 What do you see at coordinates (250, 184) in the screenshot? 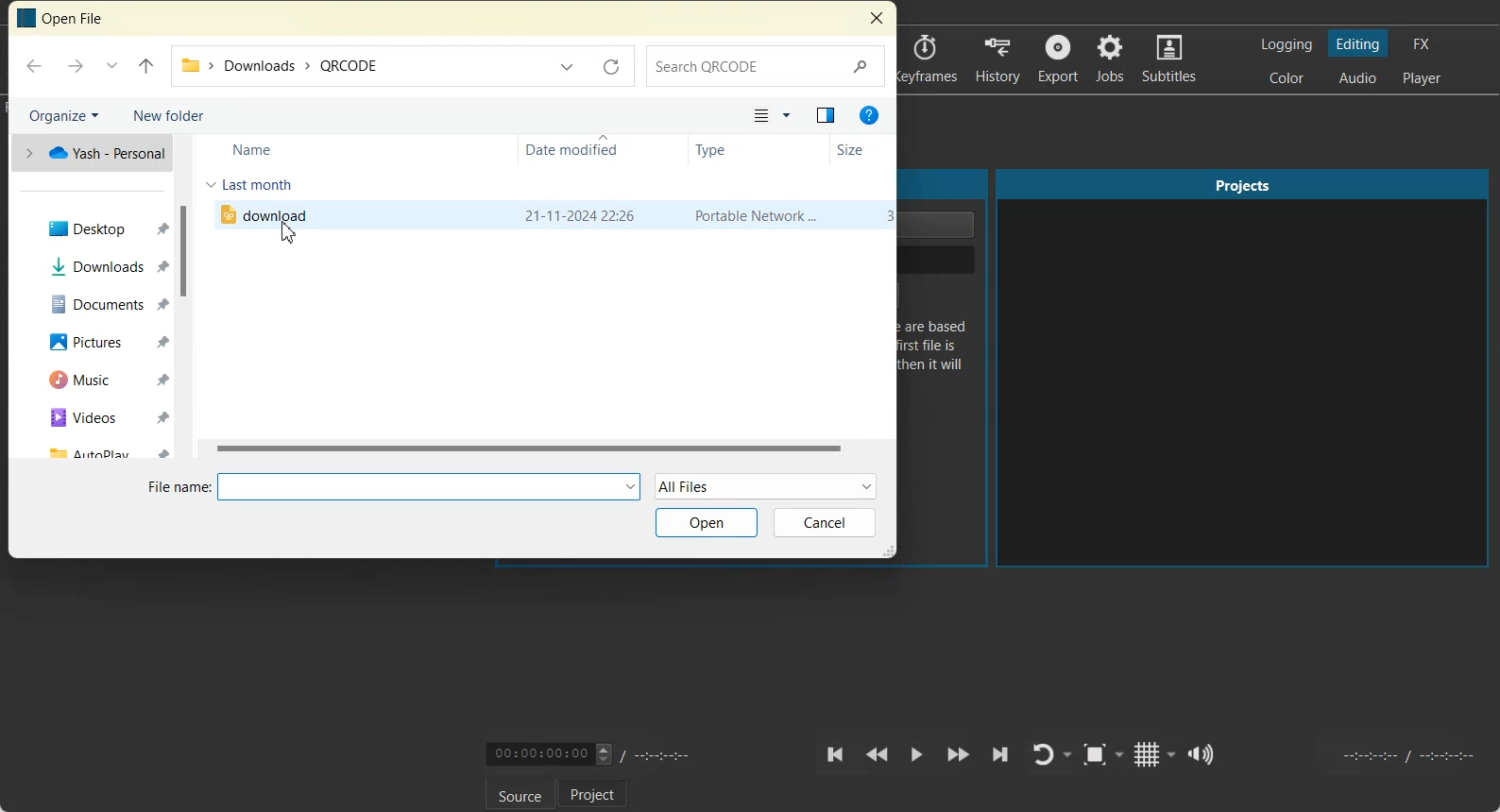
I see `Last month` at bounding box center [250, 184].